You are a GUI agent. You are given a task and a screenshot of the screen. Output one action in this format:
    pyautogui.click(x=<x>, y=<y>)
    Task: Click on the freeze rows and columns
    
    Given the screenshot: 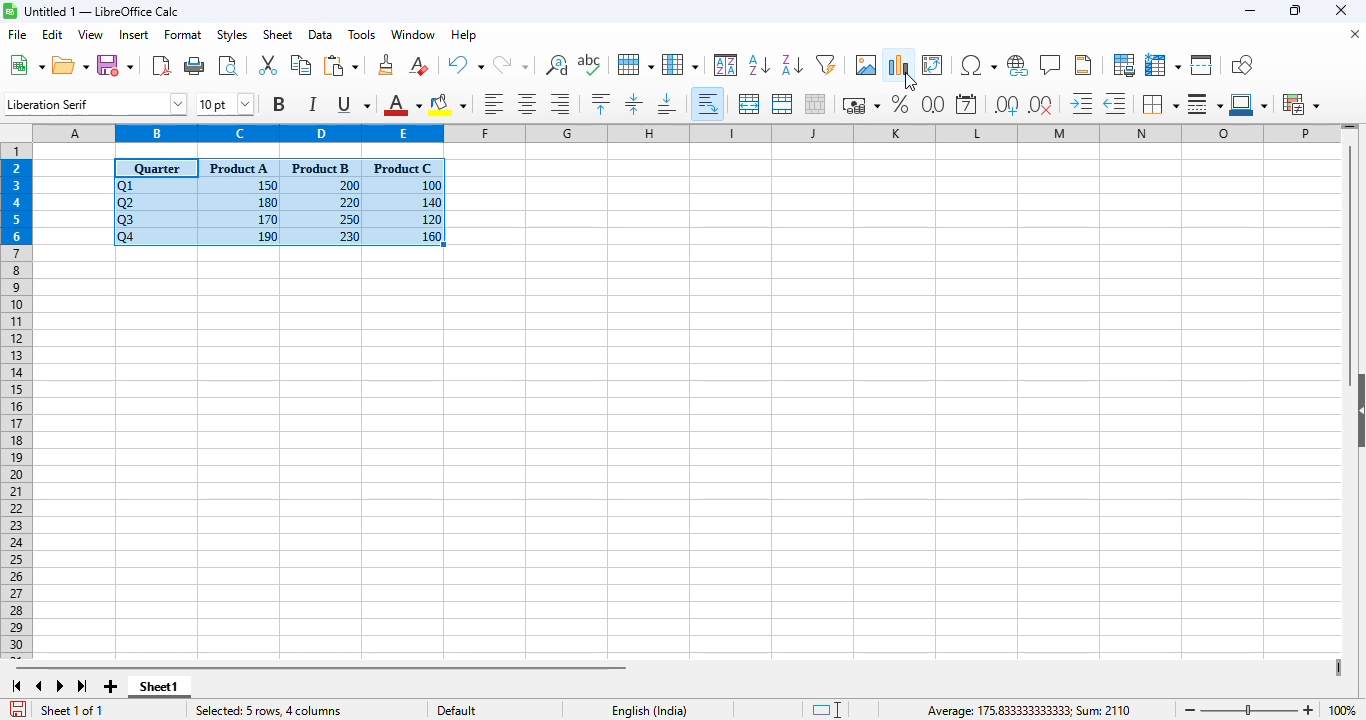 What is the action you would take?
    pyautogui.click(x=1163, y=65)
    